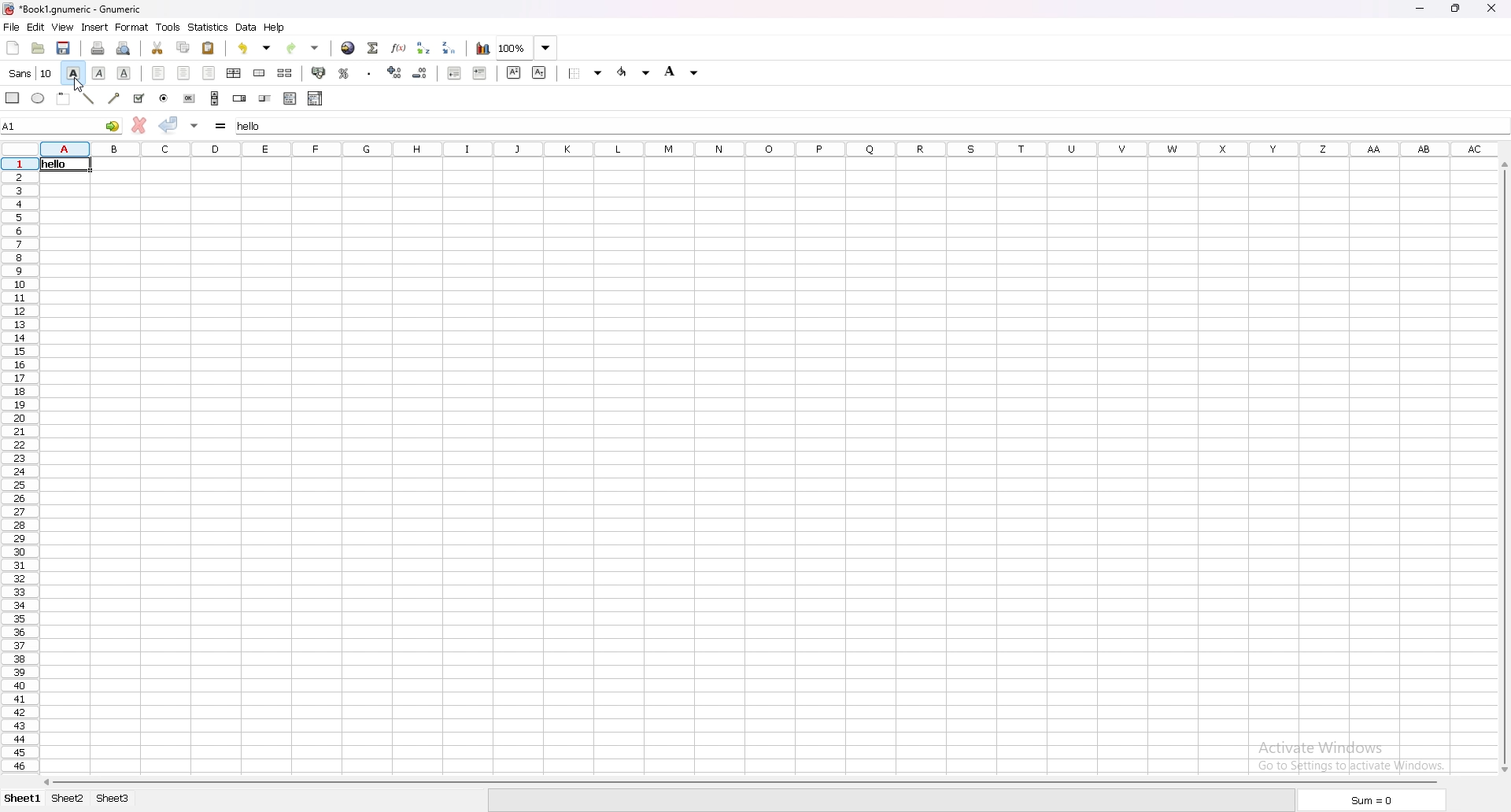 This screenshot has height=812, width=1511. Describe the element at coordinates (13, 46) in the screenshot. I see `new` at that location.